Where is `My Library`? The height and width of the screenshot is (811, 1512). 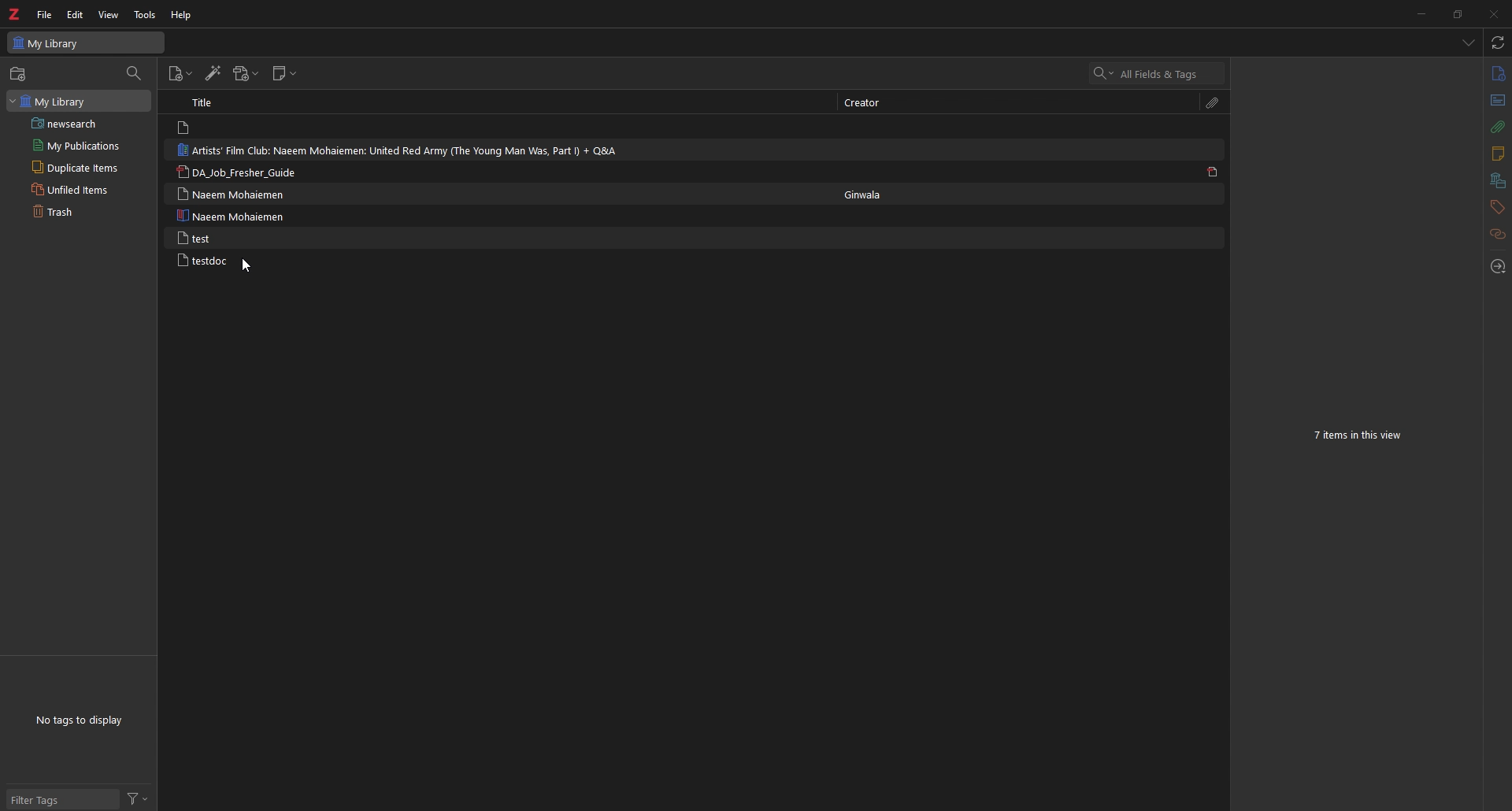
My Library is located at coordinates (79, 102).